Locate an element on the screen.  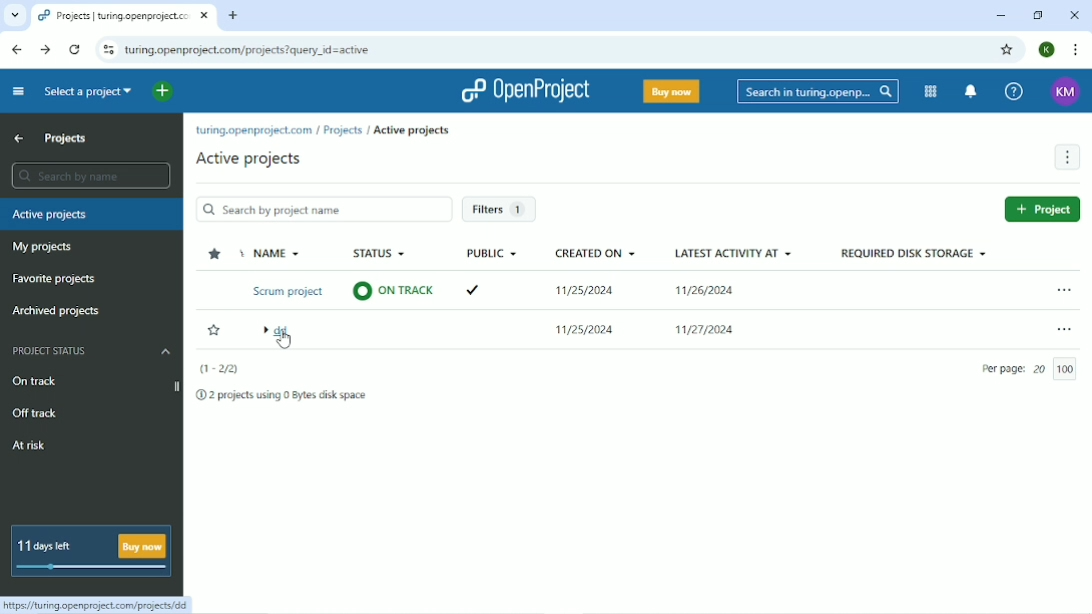
Back is located at coordinates (18, 50).